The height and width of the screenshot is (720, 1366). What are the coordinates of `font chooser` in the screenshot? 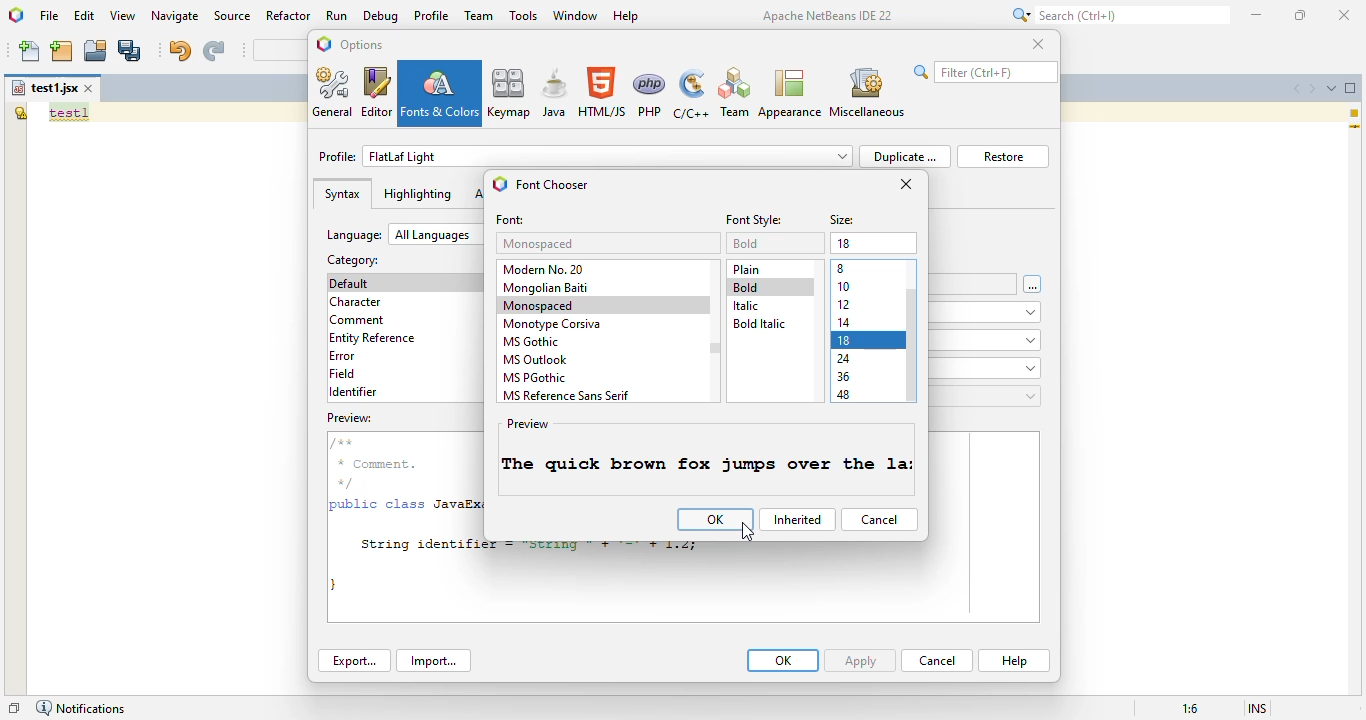 It's located at (552, 185).